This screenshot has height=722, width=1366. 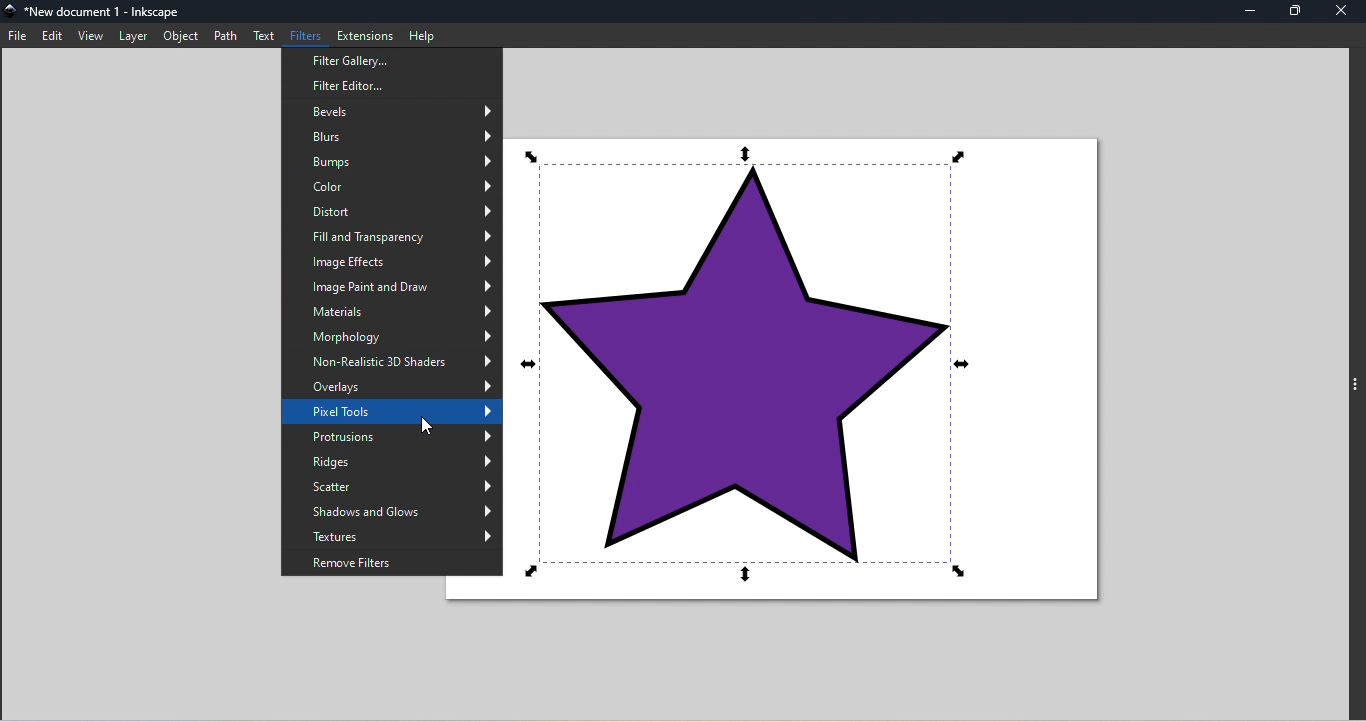 I want to click on Edit, so click(x=55, y=37).